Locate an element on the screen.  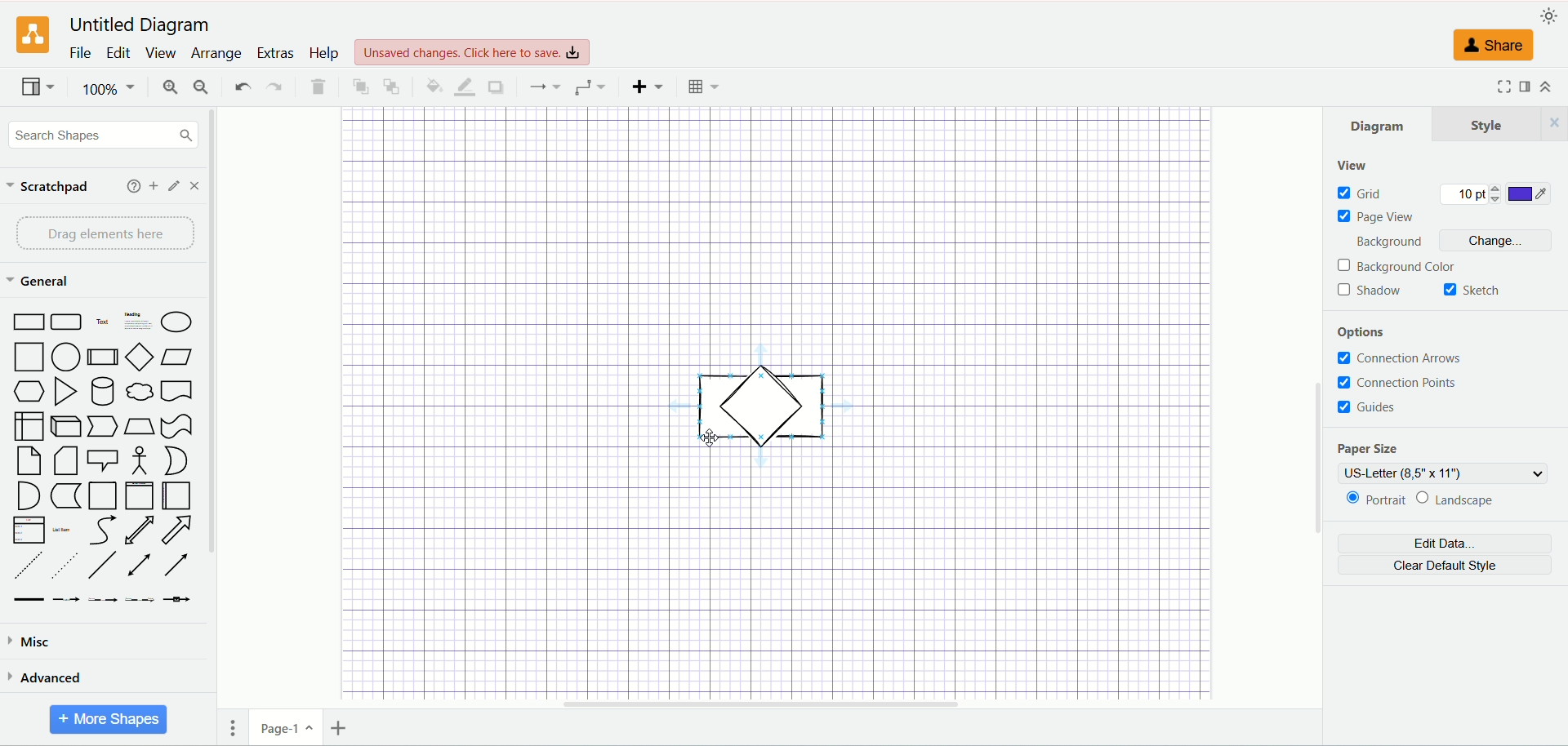
grid is located at coordinates (1371, 194).